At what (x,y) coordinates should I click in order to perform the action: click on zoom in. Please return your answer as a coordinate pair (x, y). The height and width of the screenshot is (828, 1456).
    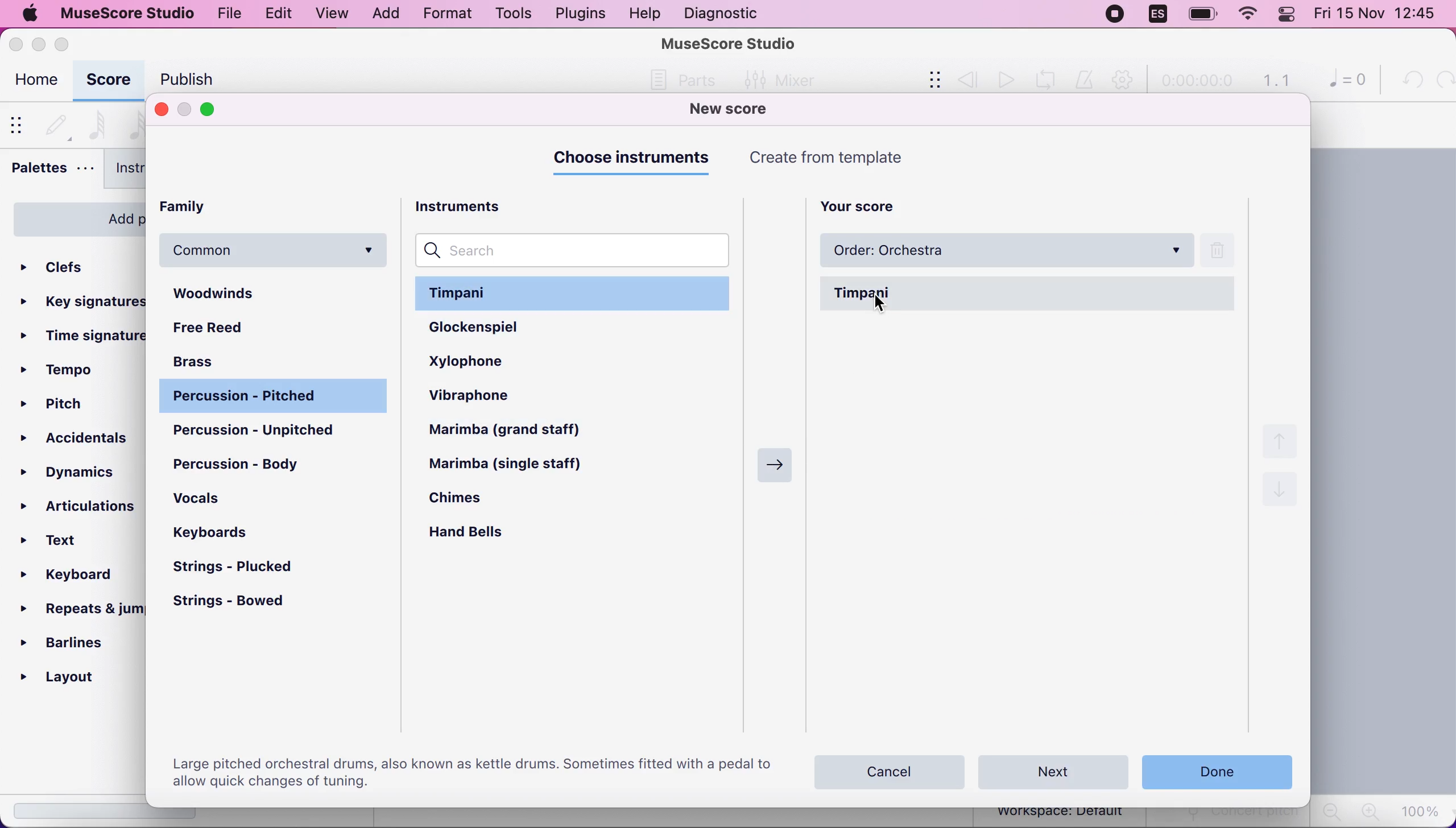
    Looking at the image, I should click on (1368, 812).